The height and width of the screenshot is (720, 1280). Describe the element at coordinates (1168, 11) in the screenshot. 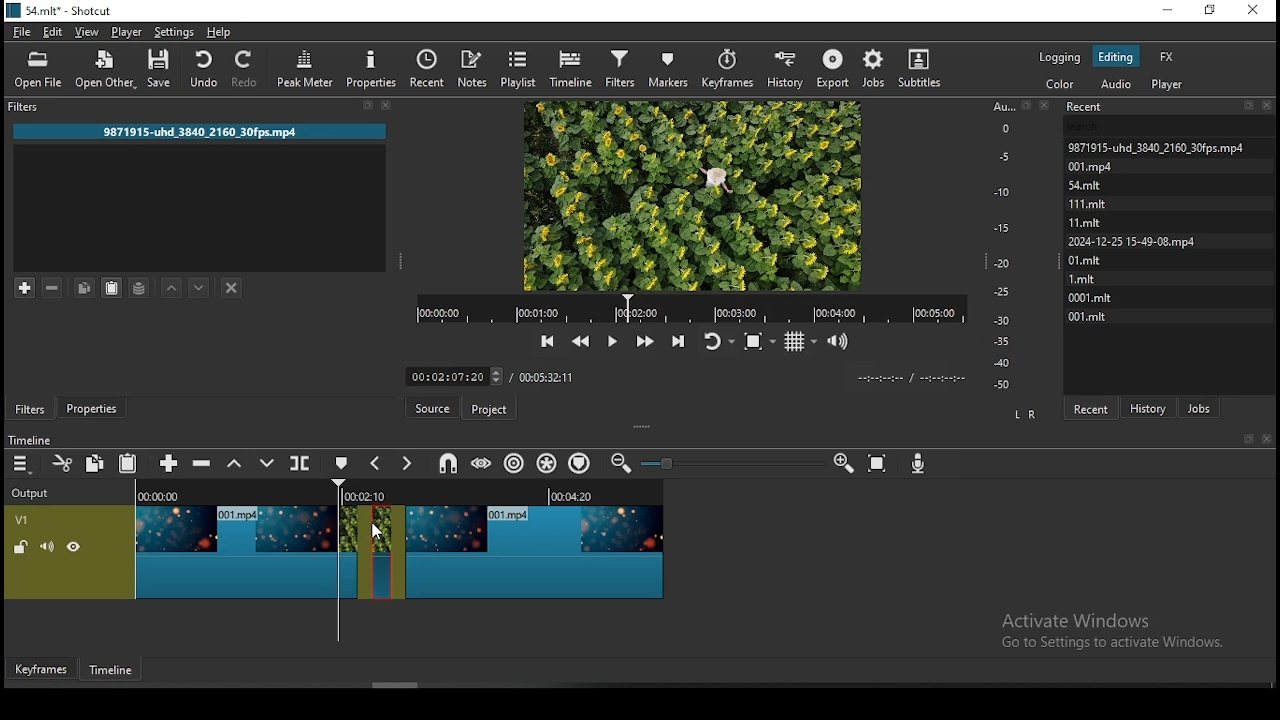

I see `minimize` at that location.